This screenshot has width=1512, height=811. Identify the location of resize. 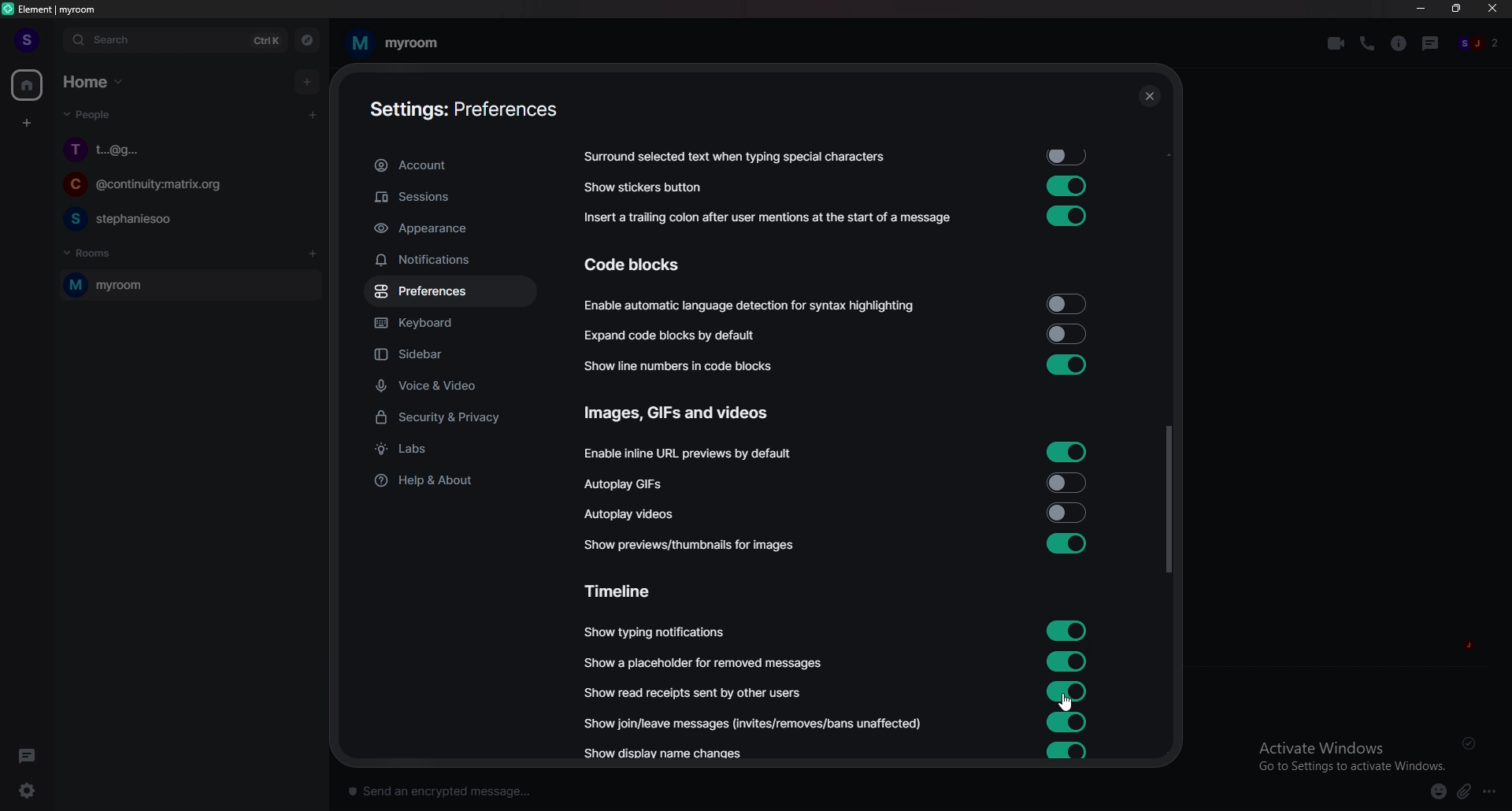
(1458, 9).